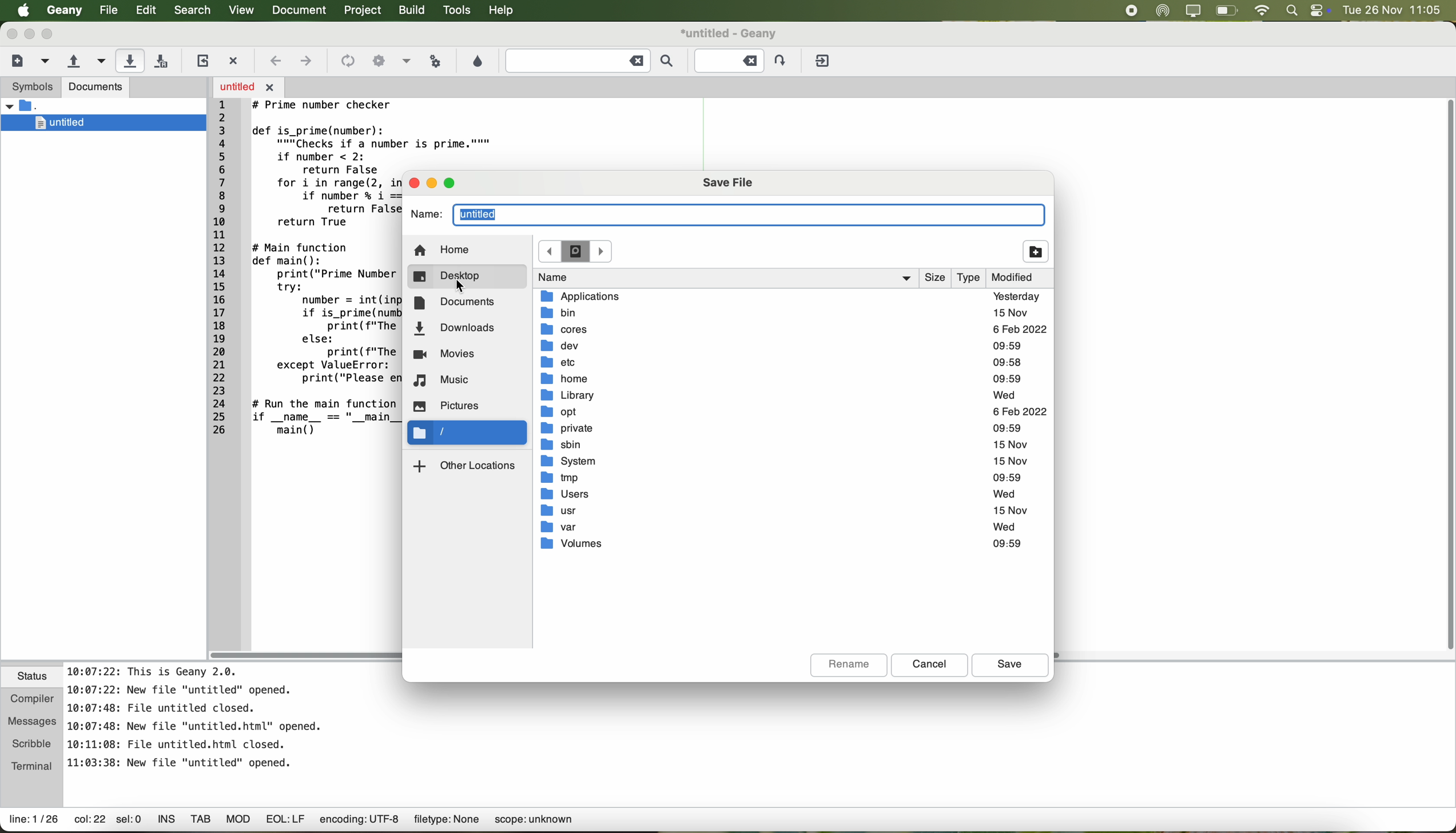 This screenshot has width=1456, height=833. What do you see at coordinates (146, 11) in the screenshot?
I see `edit` at bounding box center [146, 11].